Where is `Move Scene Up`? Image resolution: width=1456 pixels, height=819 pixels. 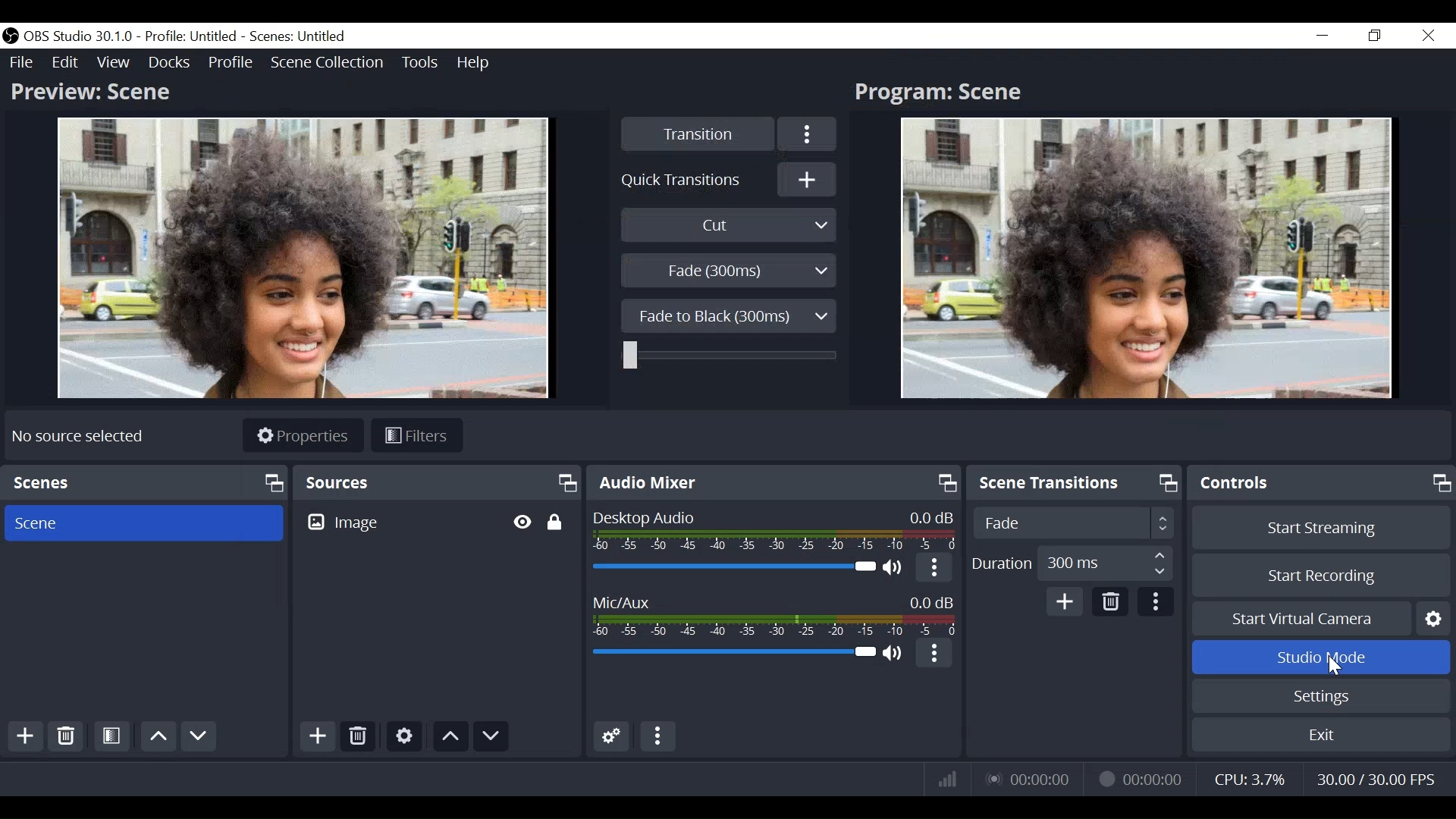
Move Scene Up is located at coordinates (156, 738).